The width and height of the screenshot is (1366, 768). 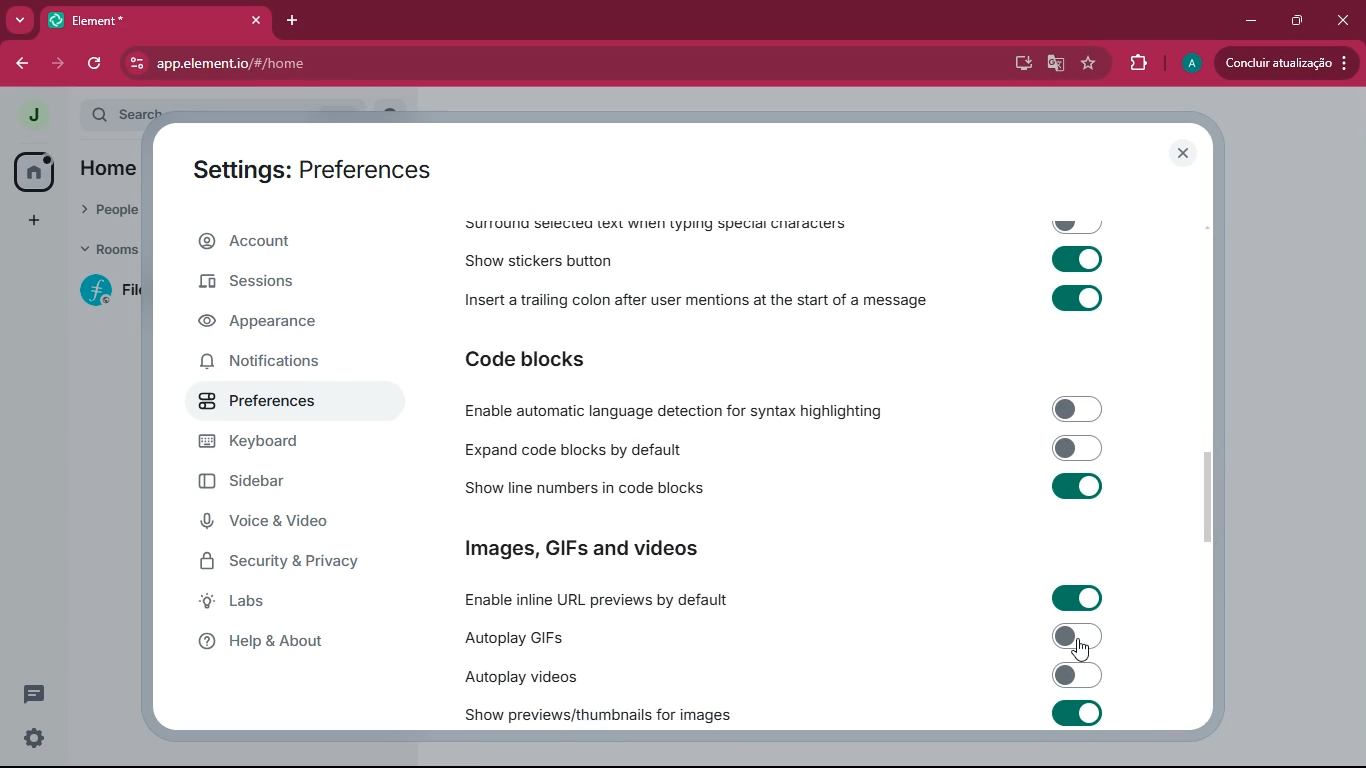 What do you see at coordinates (783, 676) in the screenshot?
I see `Autoplay videos` at bounding box center [783, 676].